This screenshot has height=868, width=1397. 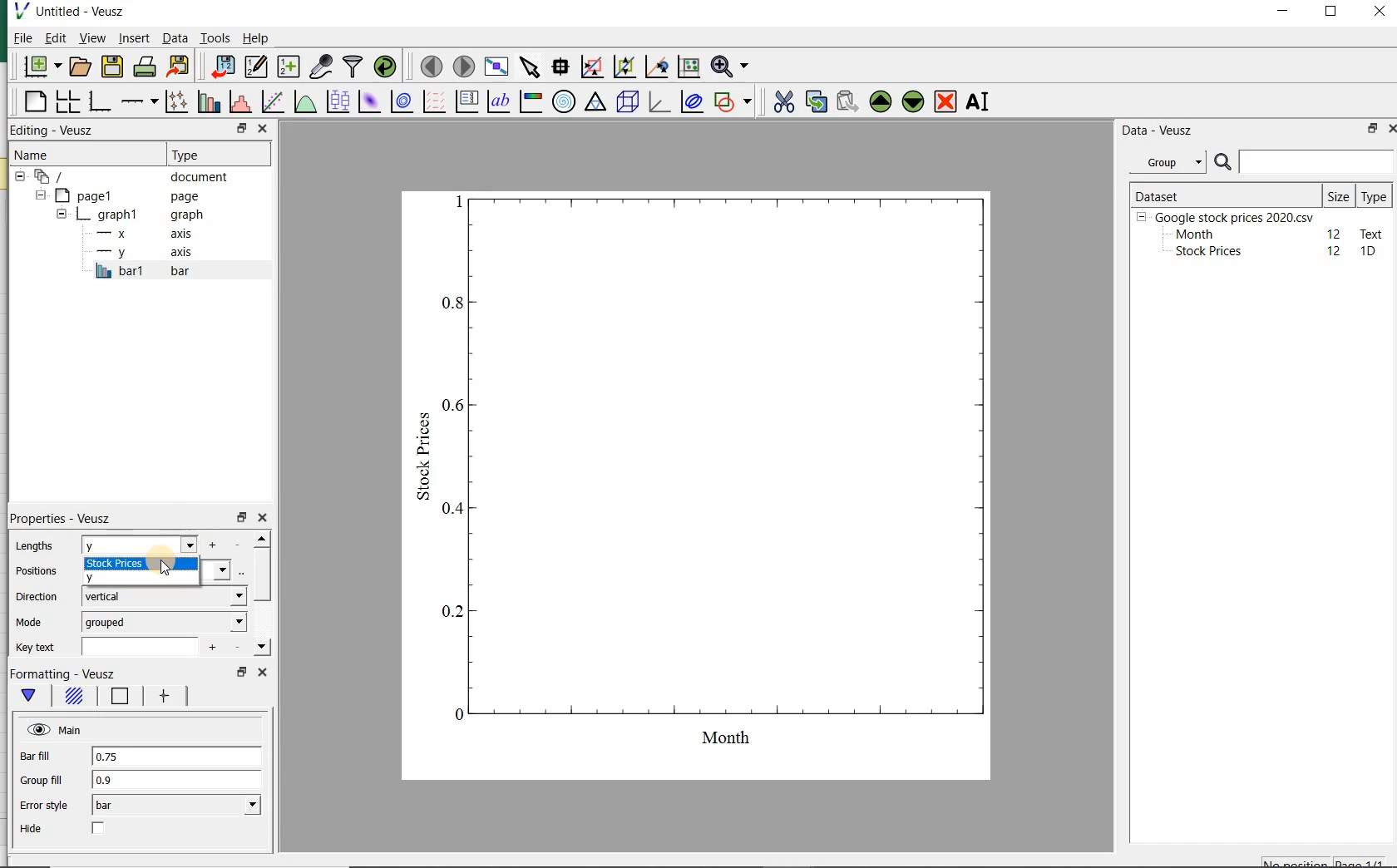 I want to click on grouped, so click(x=165, y=622).